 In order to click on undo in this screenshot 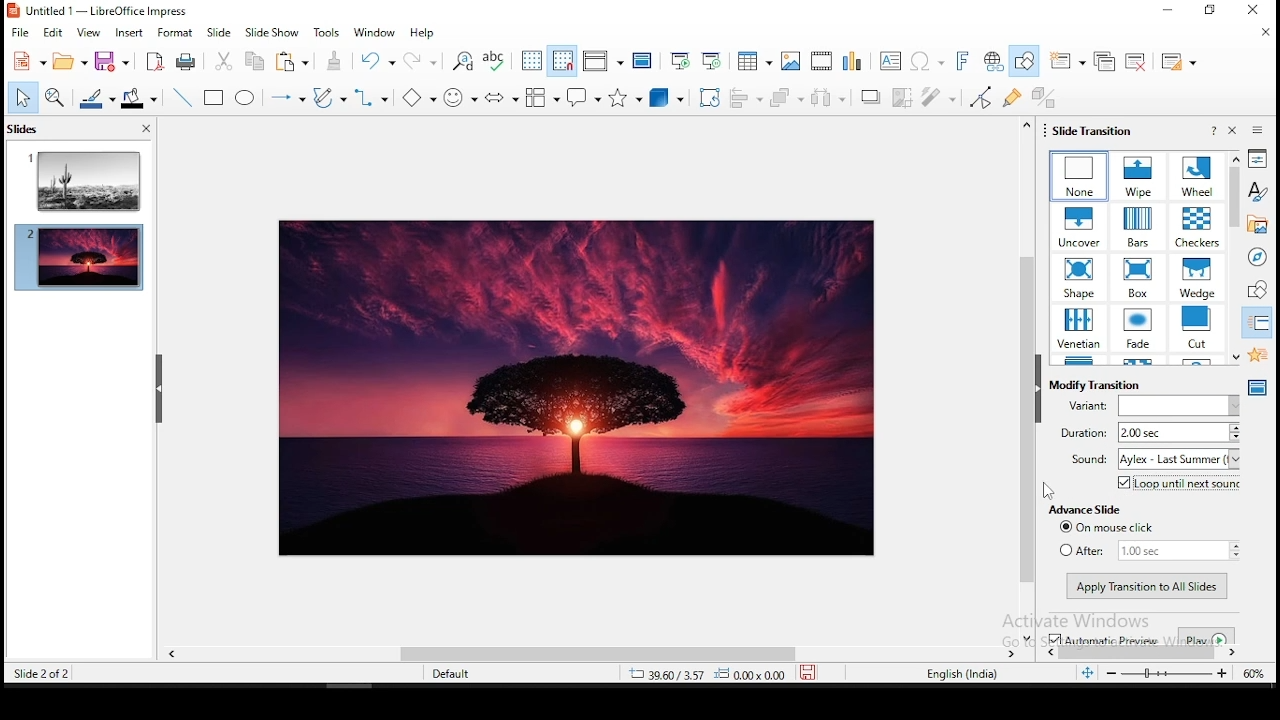, I will do `click(379, 63)`.